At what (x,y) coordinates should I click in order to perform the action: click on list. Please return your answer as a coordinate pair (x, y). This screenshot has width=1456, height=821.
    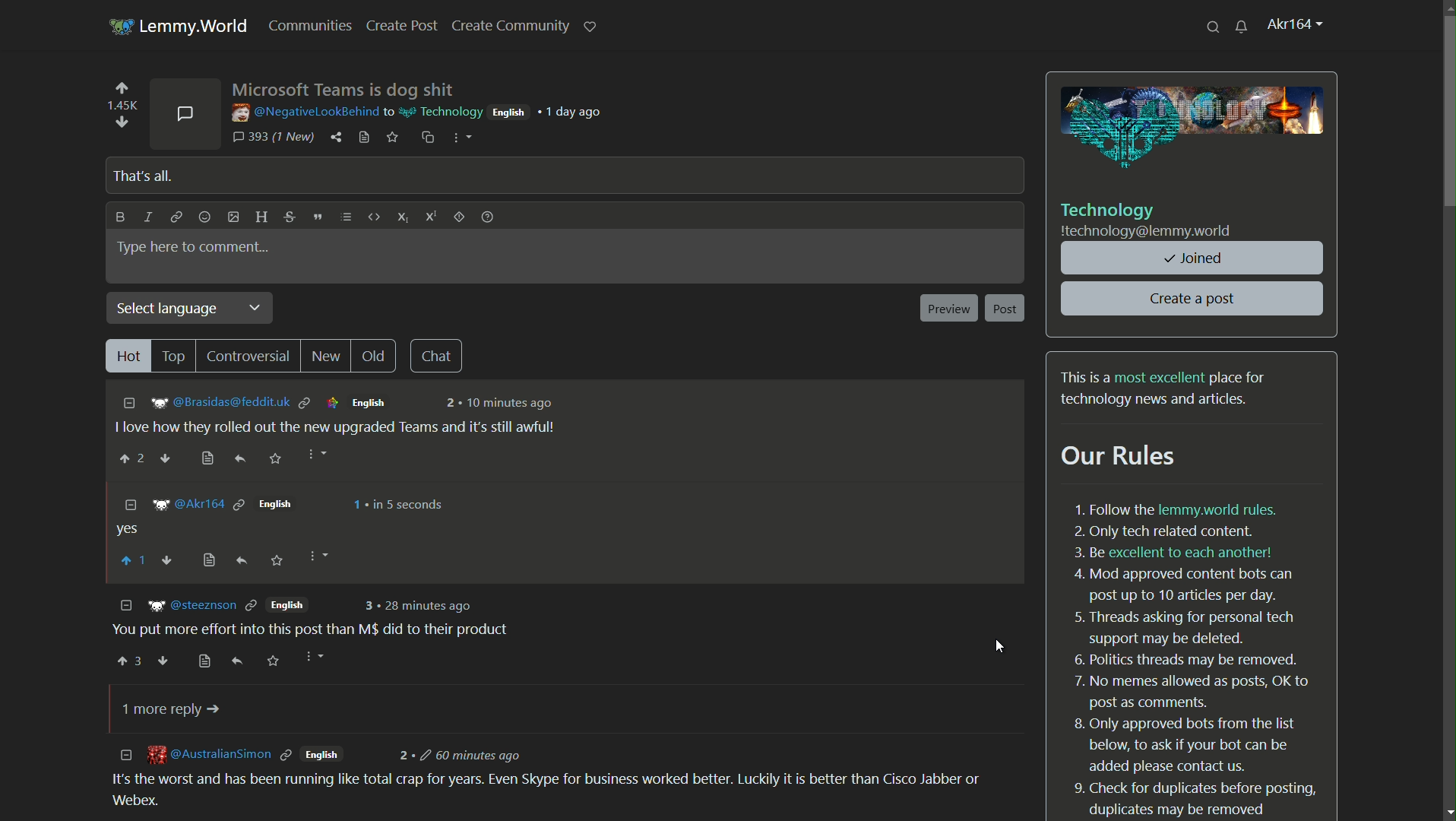
    Looking at the image, I should click on (347, 217).